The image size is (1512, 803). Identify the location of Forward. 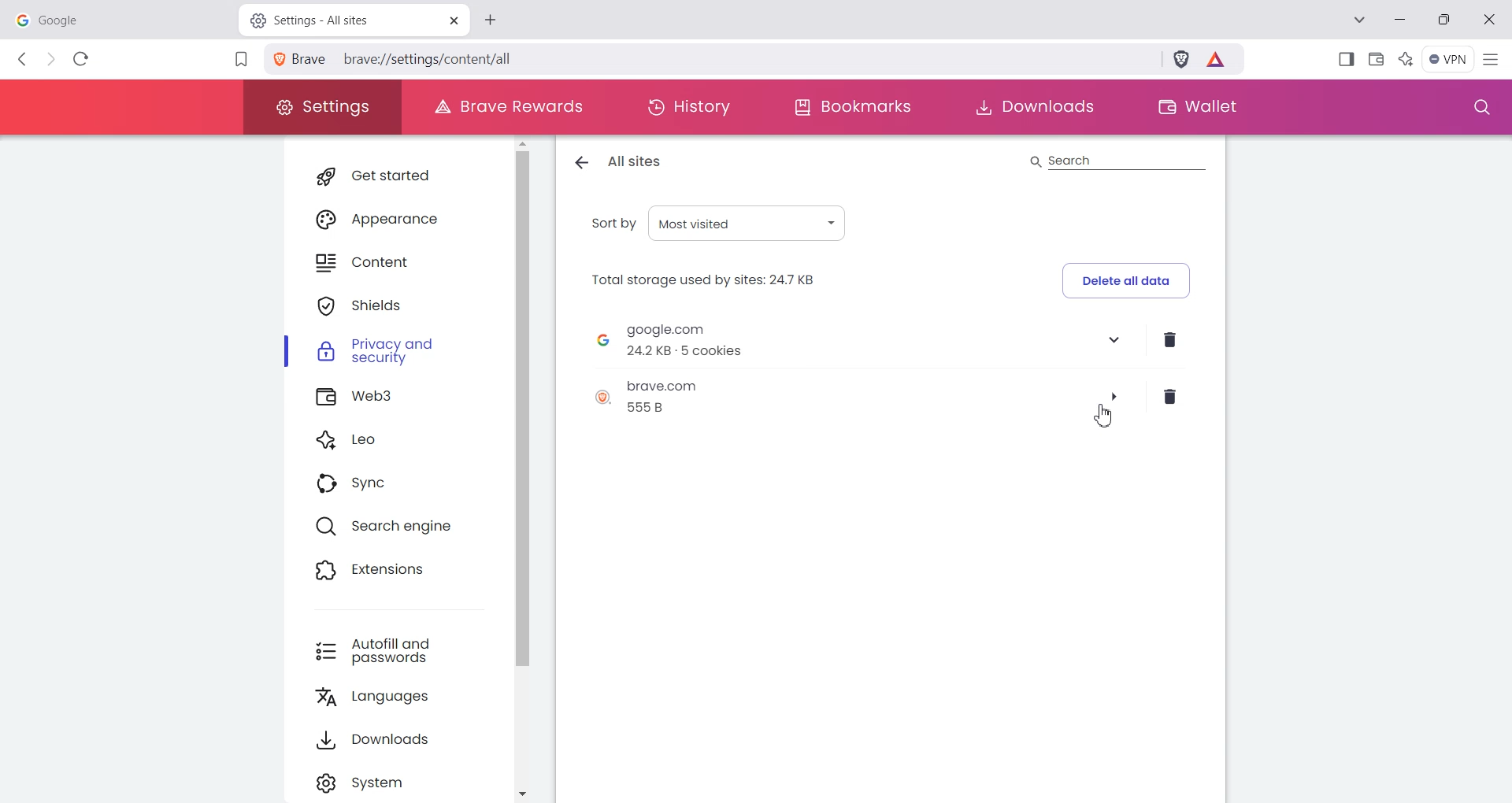
(50, 60).